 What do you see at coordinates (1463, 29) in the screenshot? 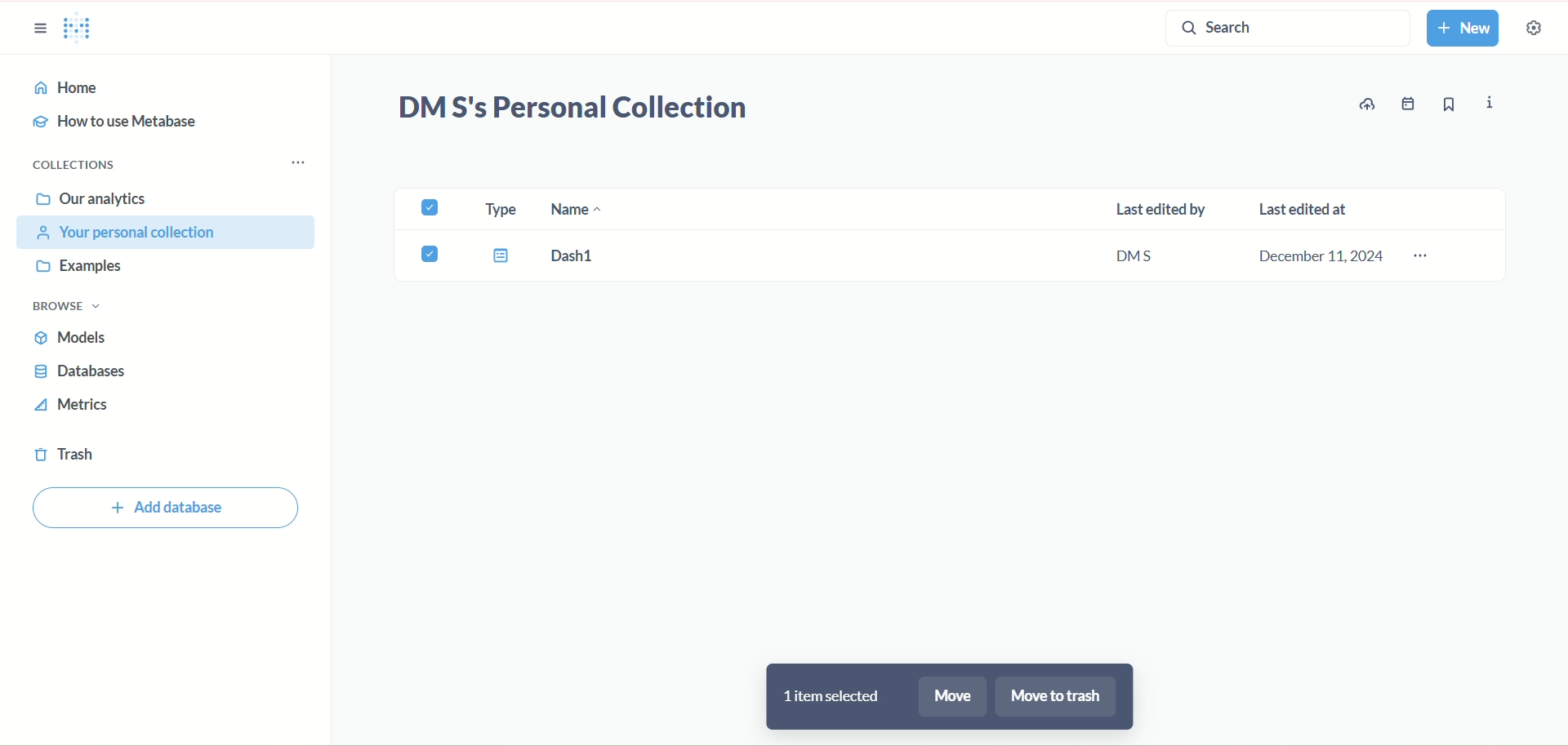
I see `new` at bounding box center [1463, 29].